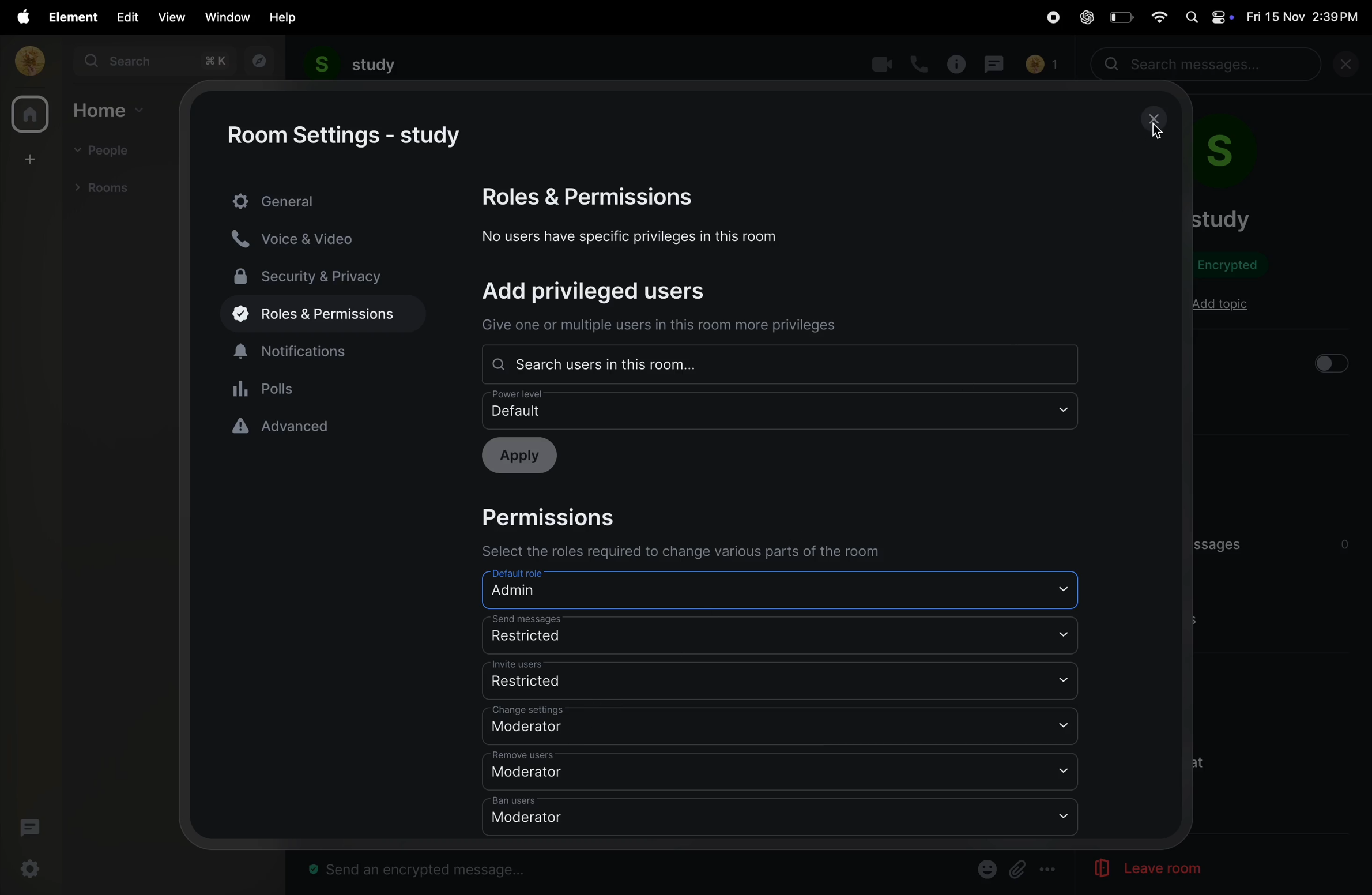 The height and width of the screenshot is (895, 1372). What do you see at coordinates (781, 721) in the screenshot?
I see `change settings` at bounding box center [781, 721].